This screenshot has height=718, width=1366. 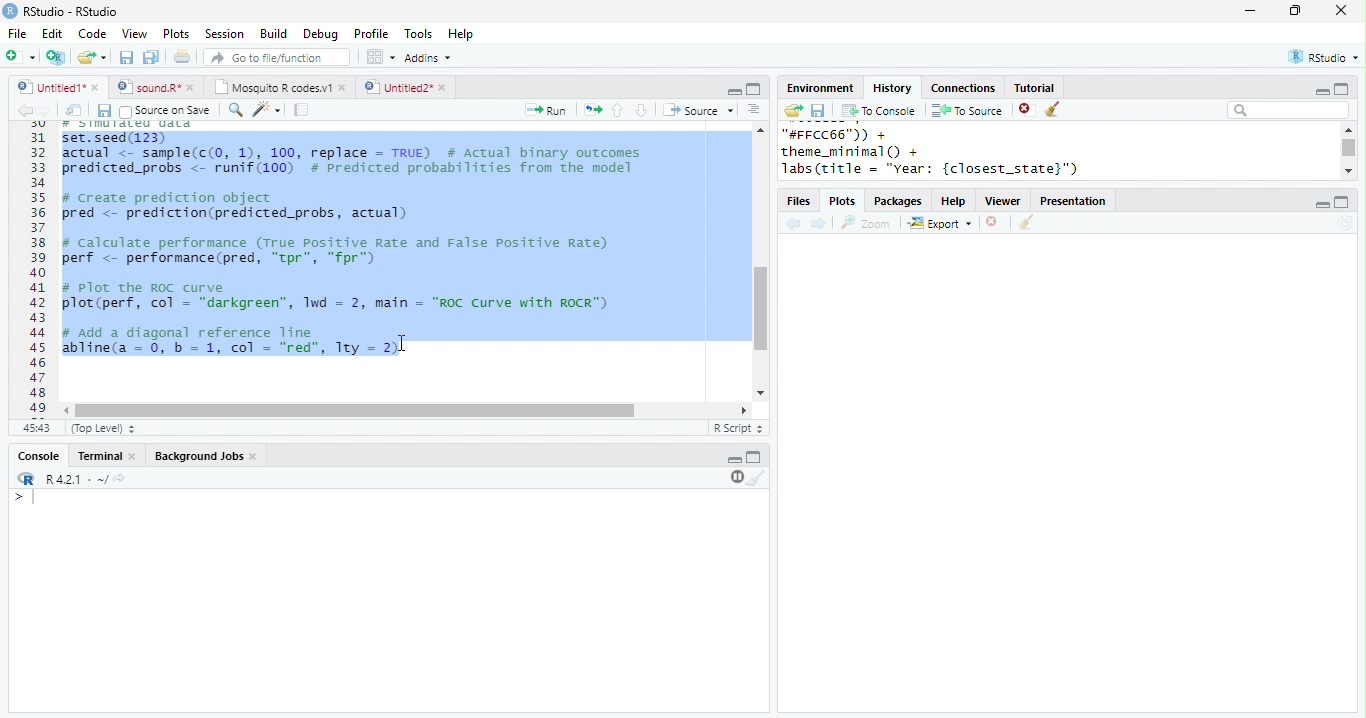 What do you see at coordinates (995, 223) in the screenshot?
I see `close file` at bounding box center [995, 223].